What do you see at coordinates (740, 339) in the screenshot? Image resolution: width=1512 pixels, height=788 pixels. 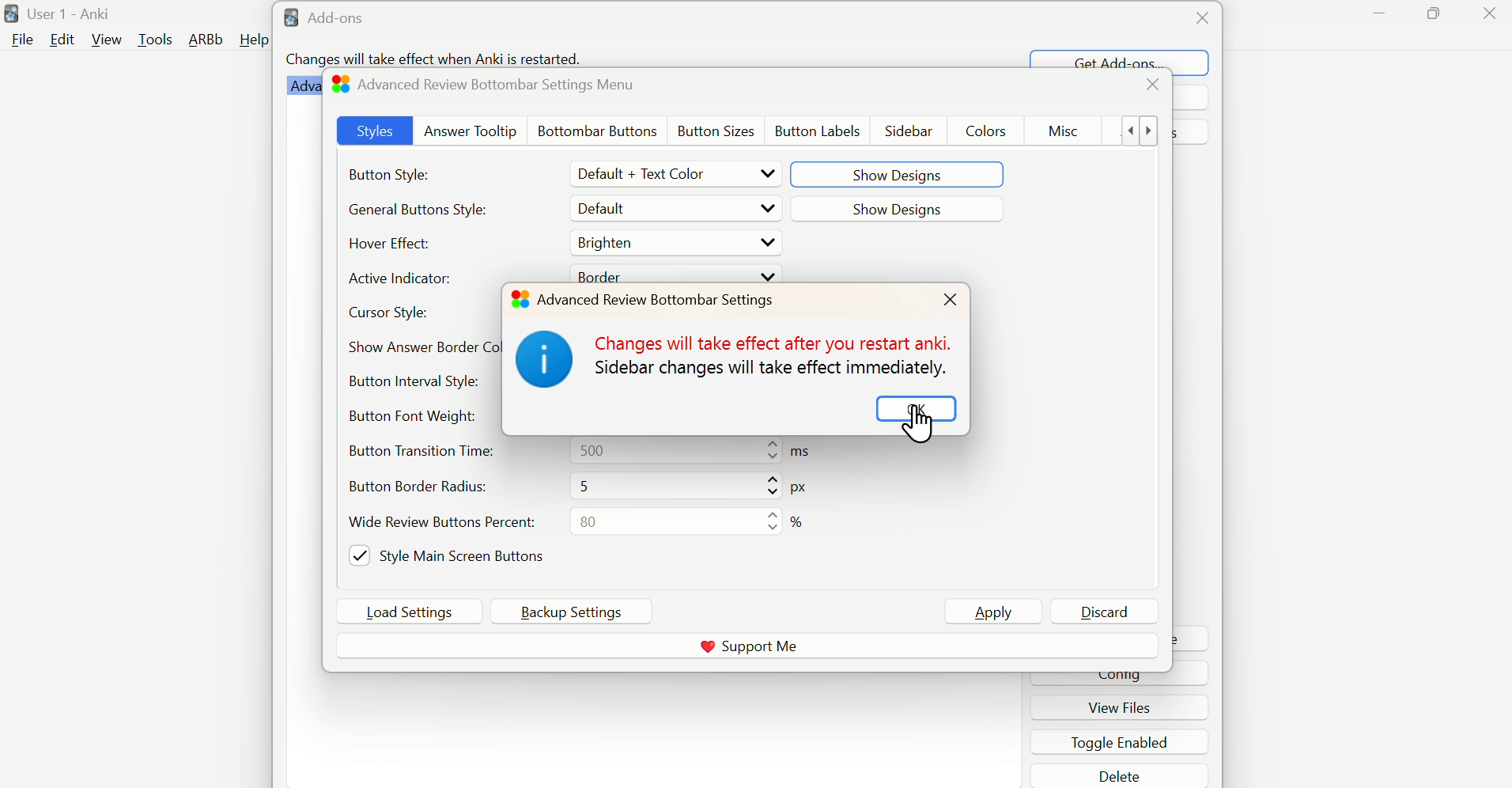 I see `Notice about Implementation` at bounding box center [740, 339].